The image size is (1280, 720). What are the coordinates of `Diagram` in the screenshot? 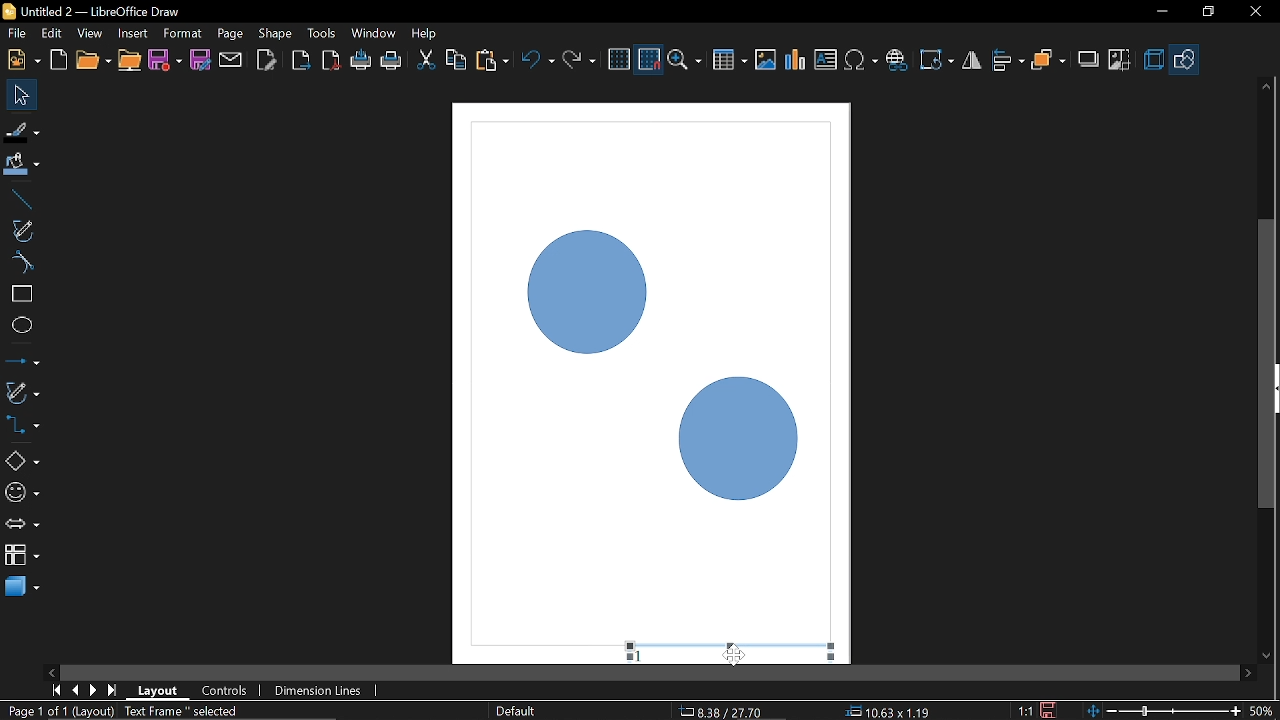 It's located at (654, 361).